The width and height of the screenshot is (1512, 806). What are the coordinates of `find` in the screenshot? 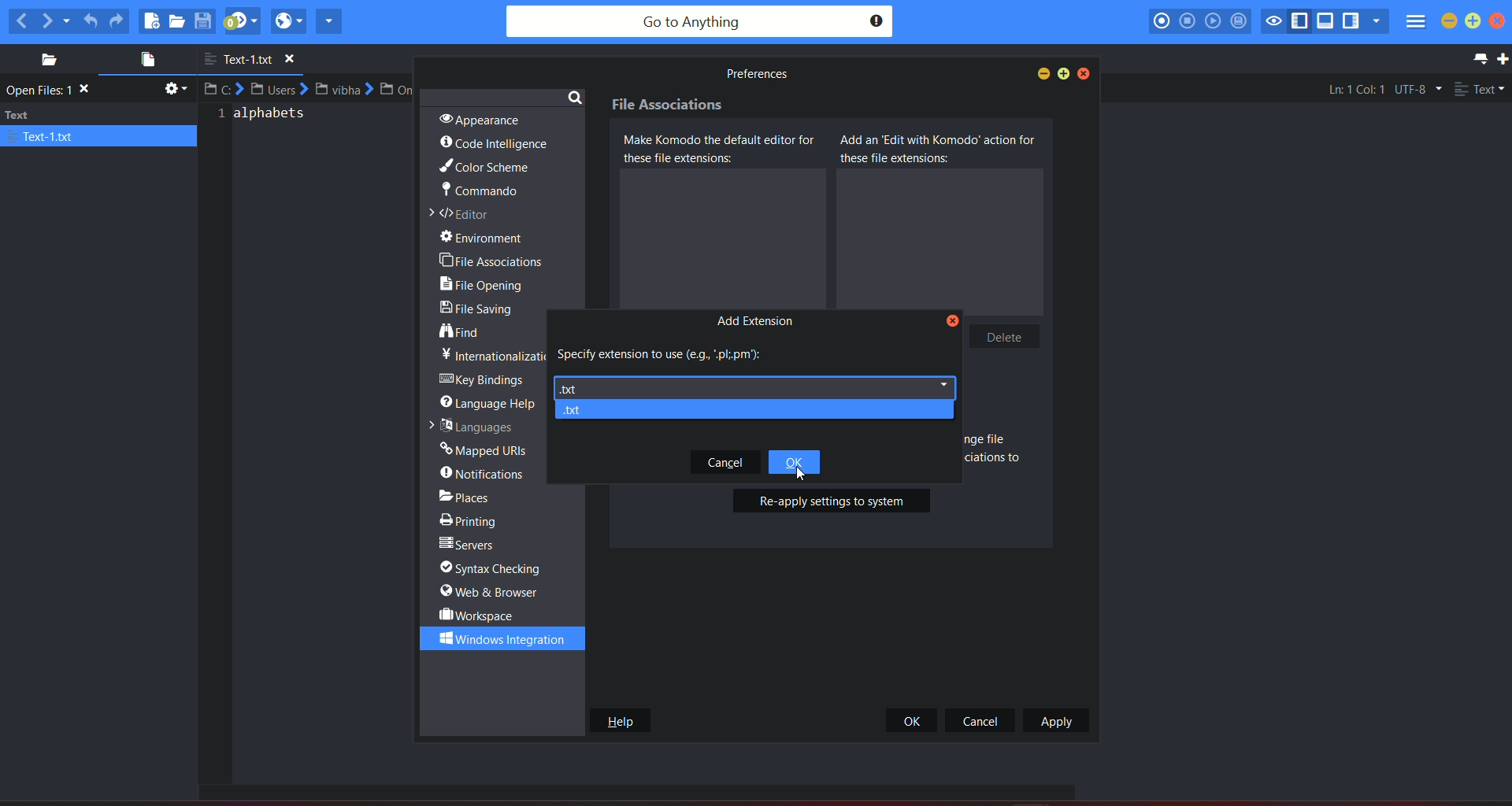 It's located at (462, 332).